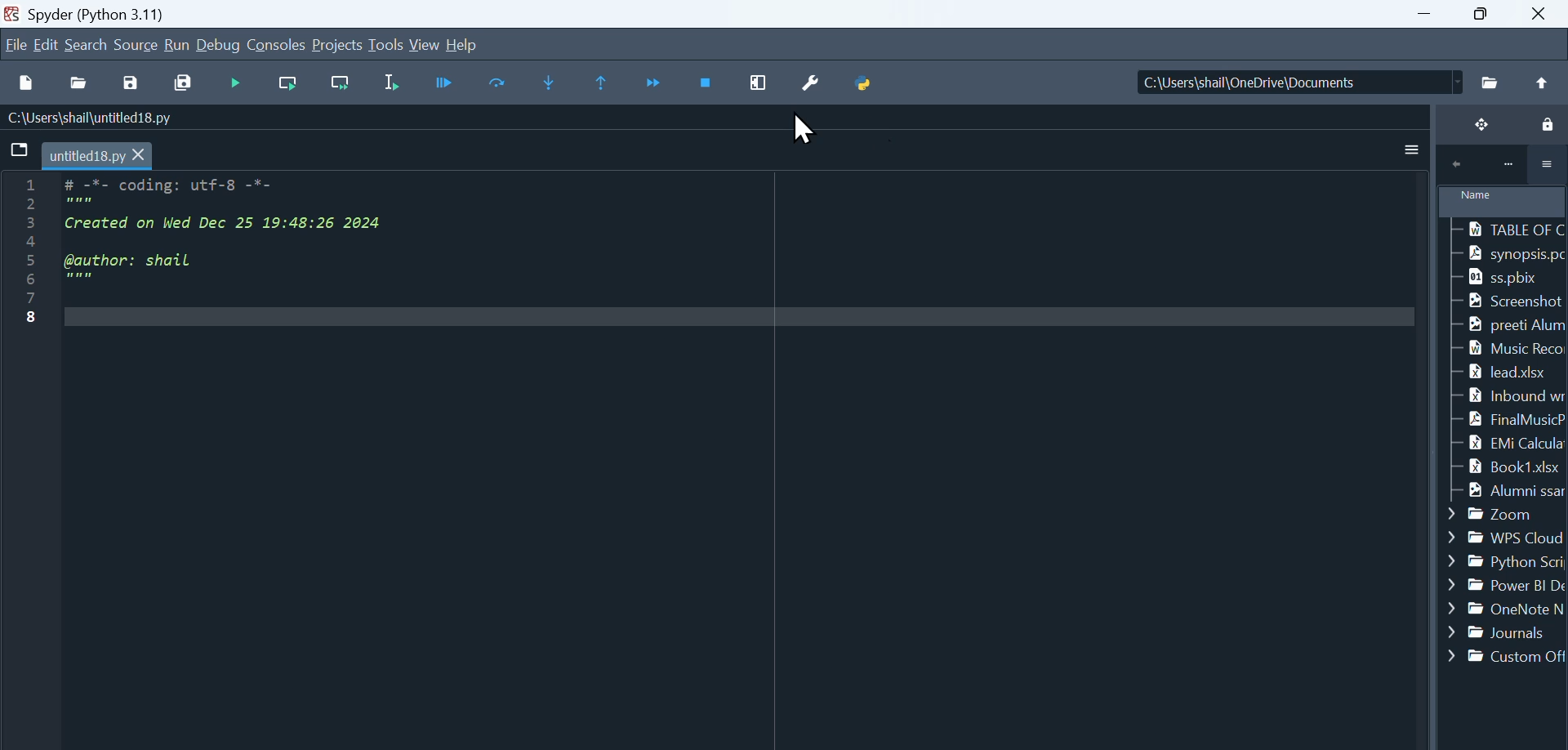 This screenshot has height=750, width=1568. I want to click on Python Sci.., so click(1508, 565).